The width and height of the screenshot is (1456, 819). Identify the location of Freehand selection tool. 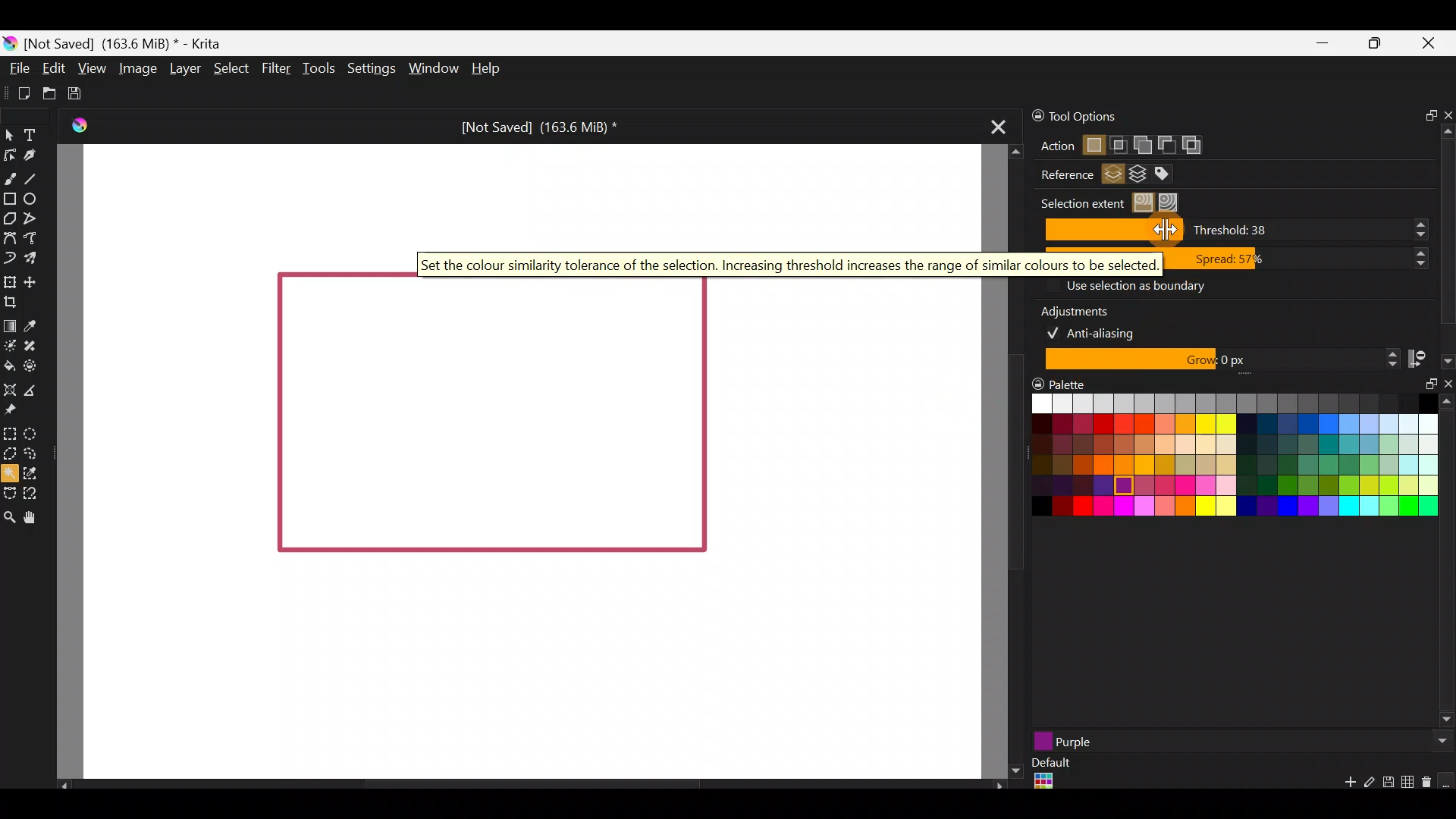
(32, 452).